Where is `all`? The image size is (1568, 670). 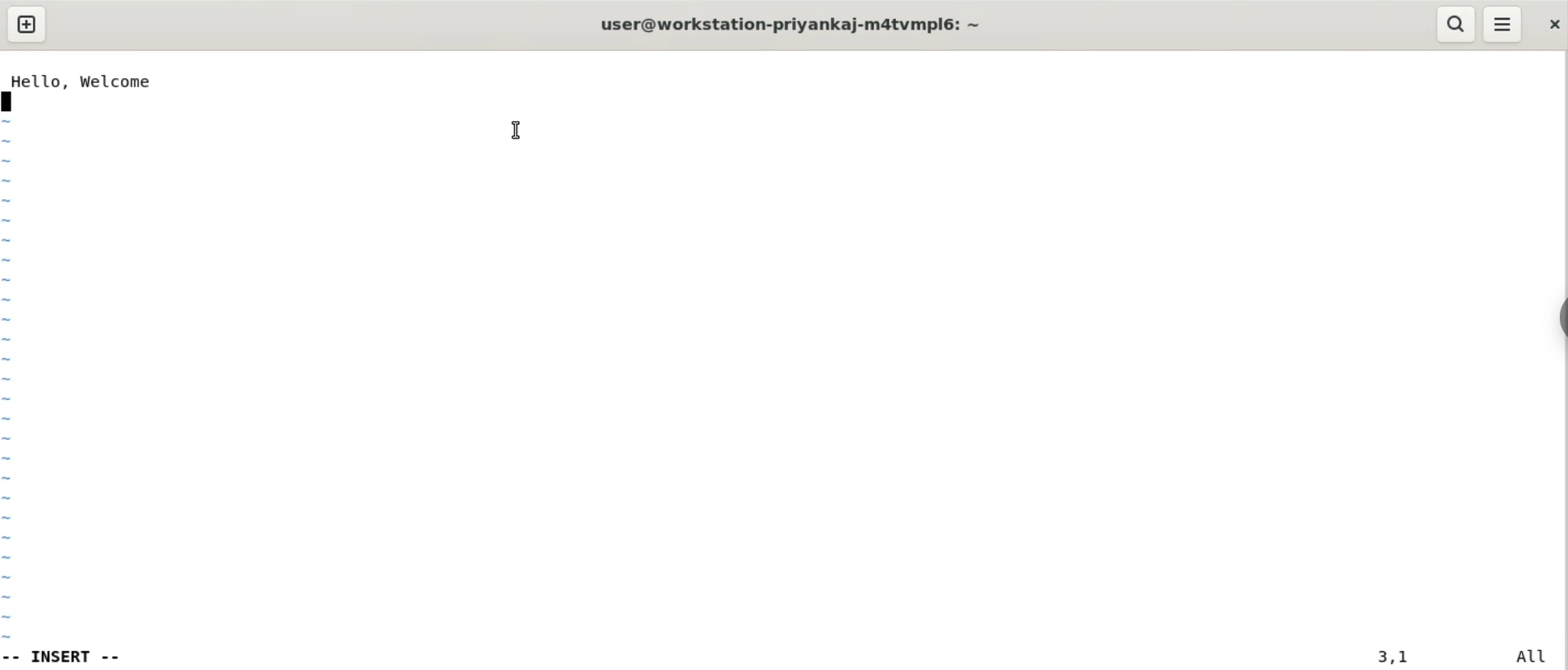 all is located at coordinates (1538, 656).